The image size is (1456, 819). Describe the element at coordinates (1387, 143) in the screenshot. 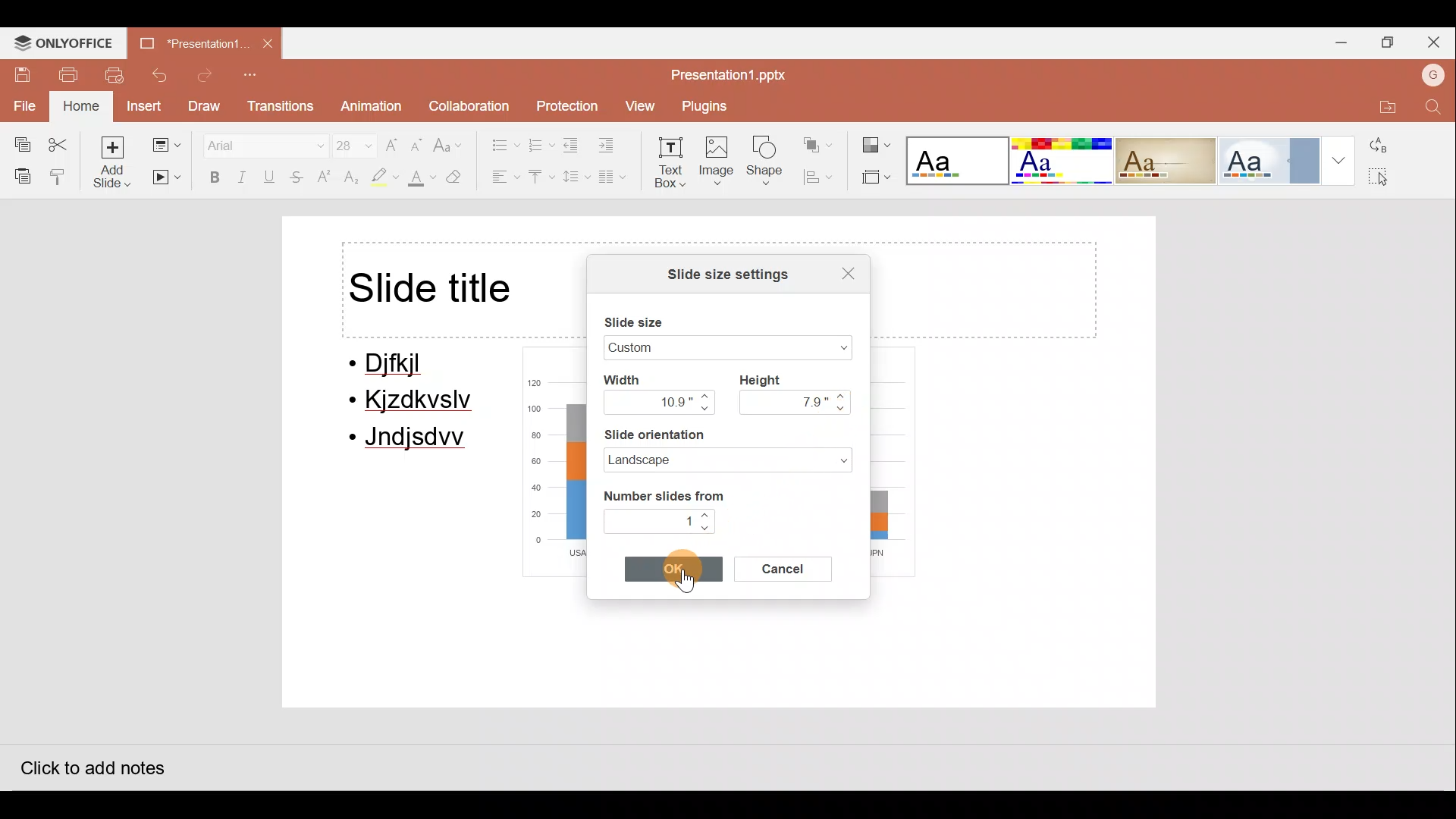

I see `Replace` at that location.